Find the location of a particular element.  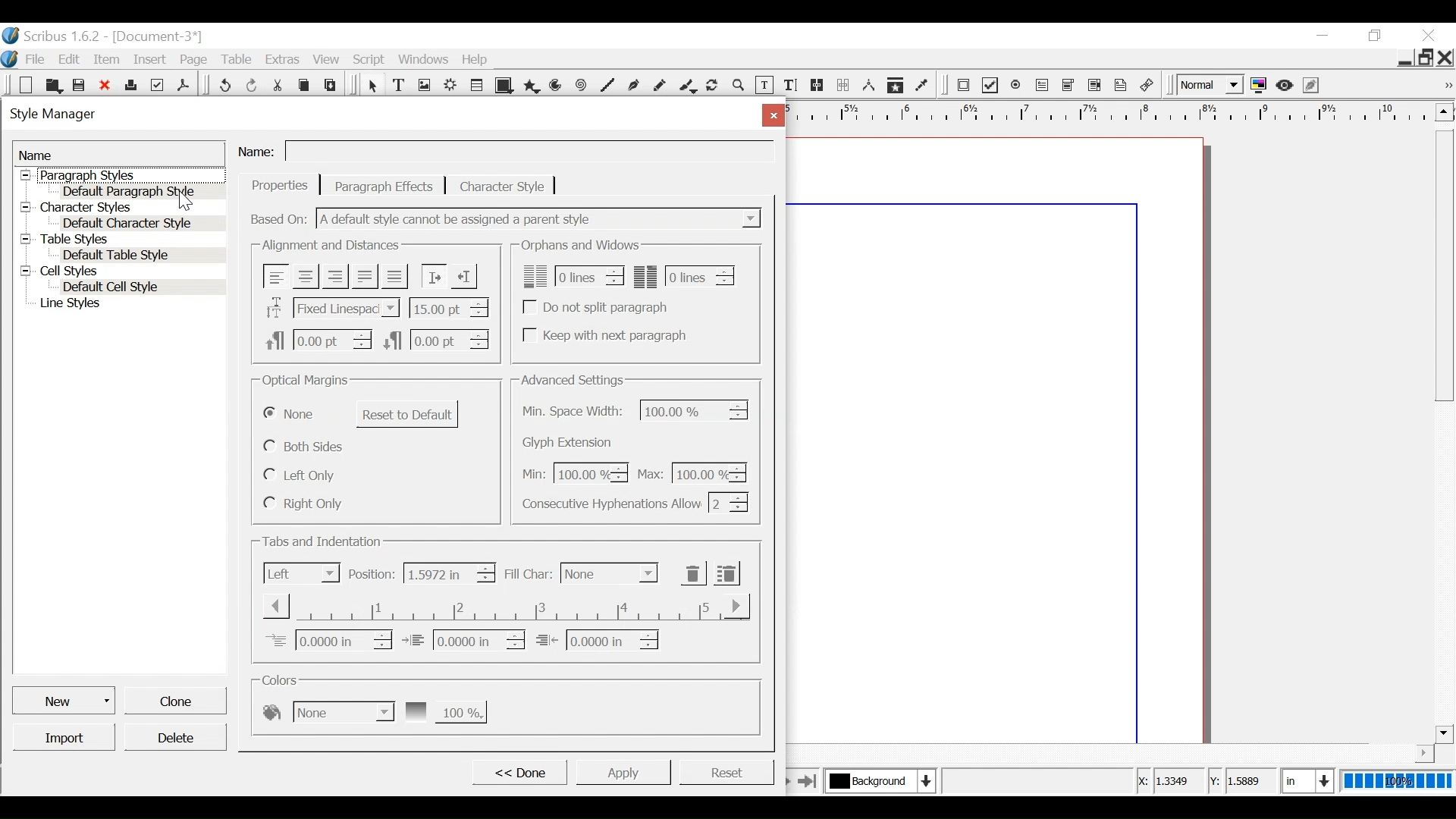

100% is located at coordinates (1395, 781).